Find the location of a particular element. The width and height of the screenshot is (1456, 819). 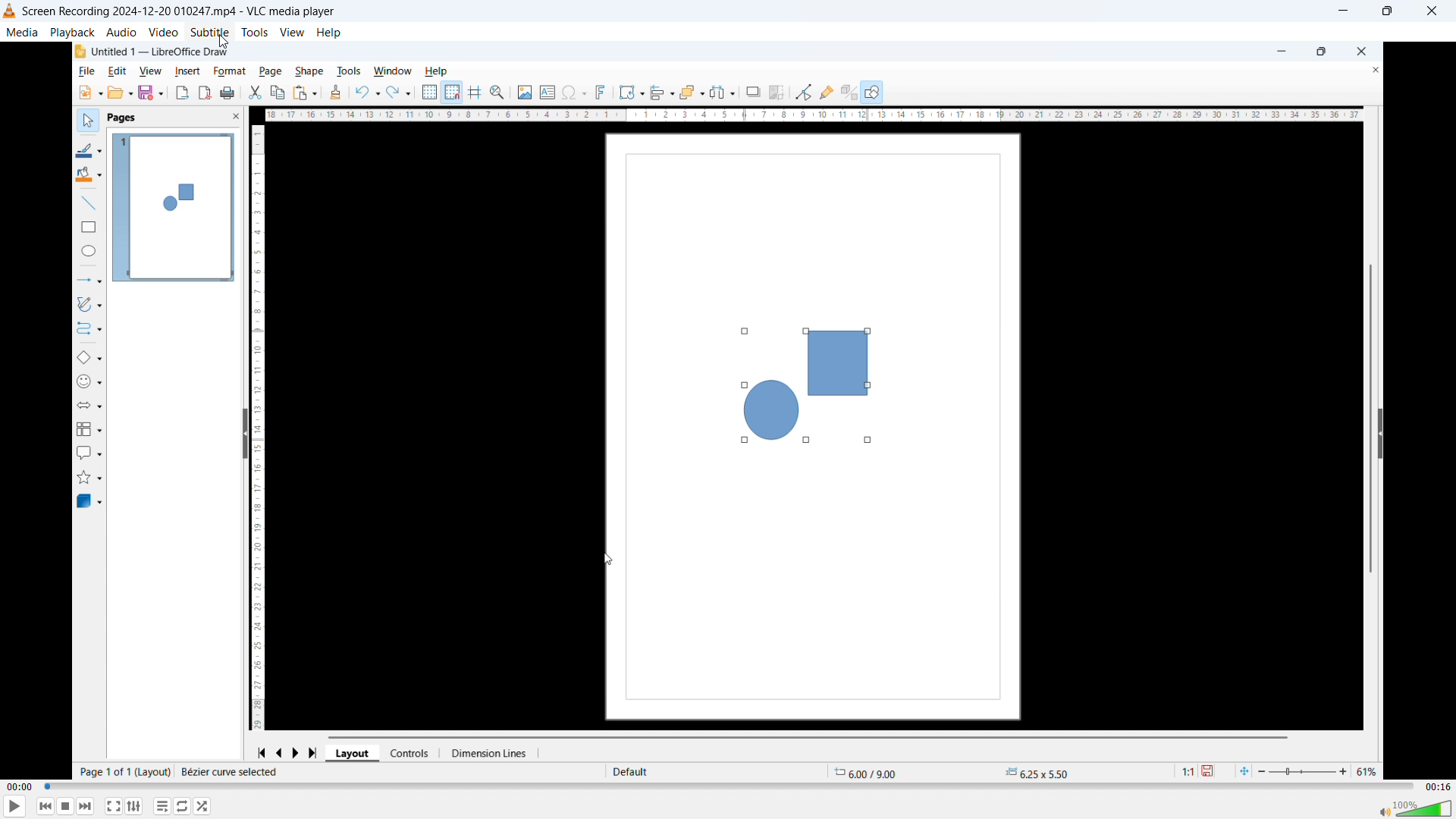

untitled1- libre office draw is located at coordinates (167, 50).